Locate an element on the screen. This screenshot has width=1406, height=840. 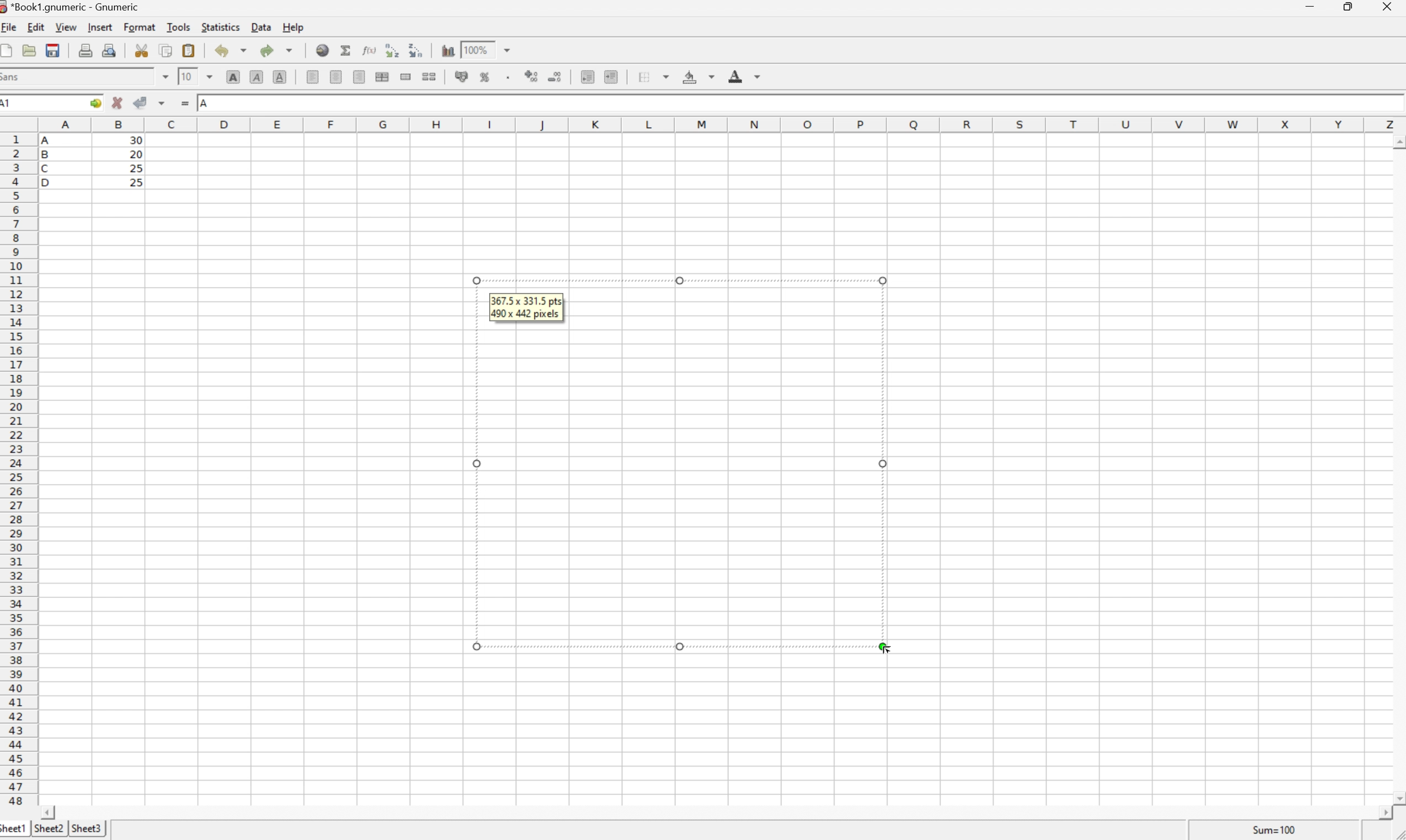
Underline is located at coordinates (279, 78).